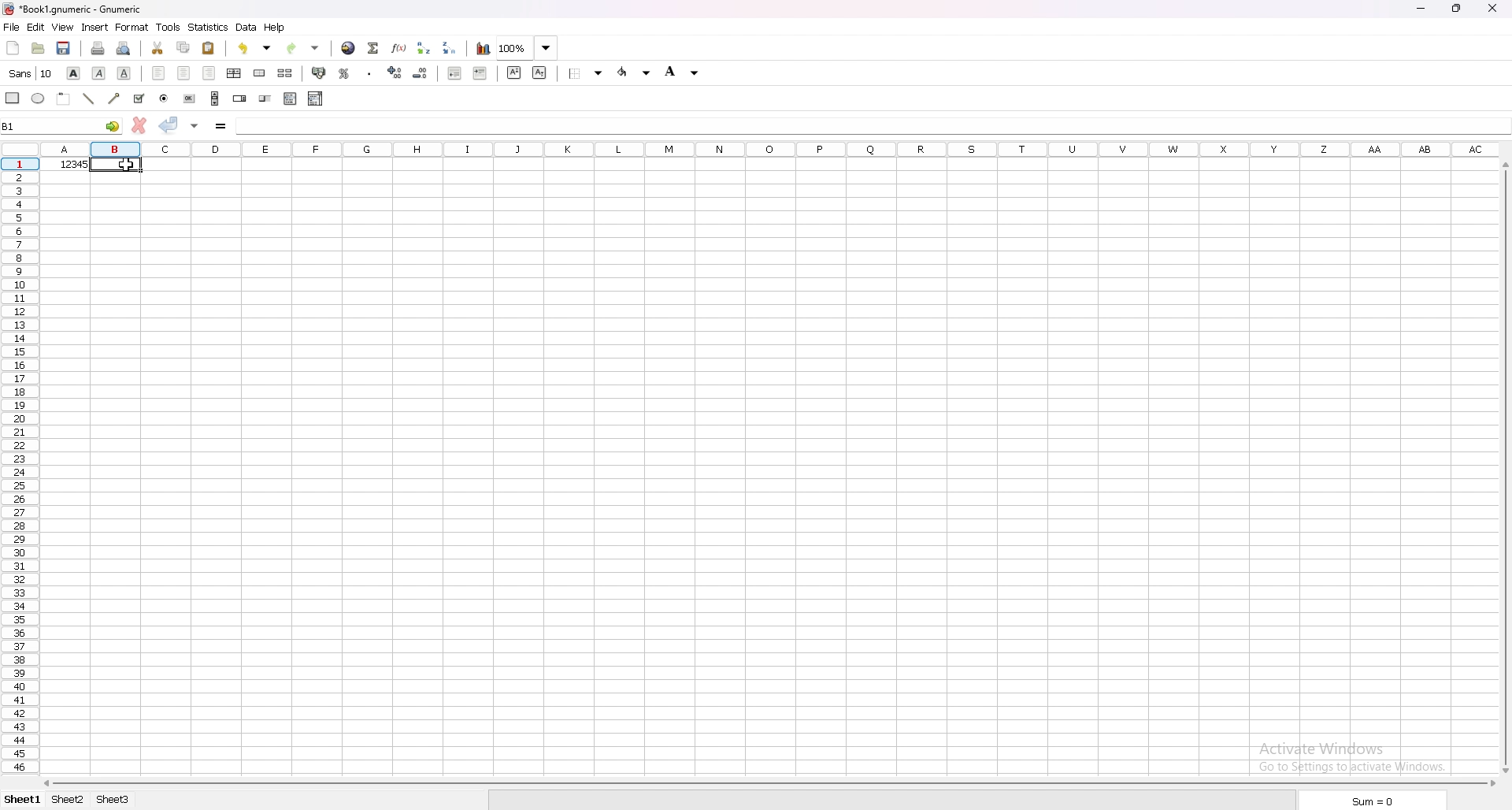 This screenshot has height=810, width=1512. Describe the element at coordinates (169, 27) in the screenshot. I see `tools` at that location.